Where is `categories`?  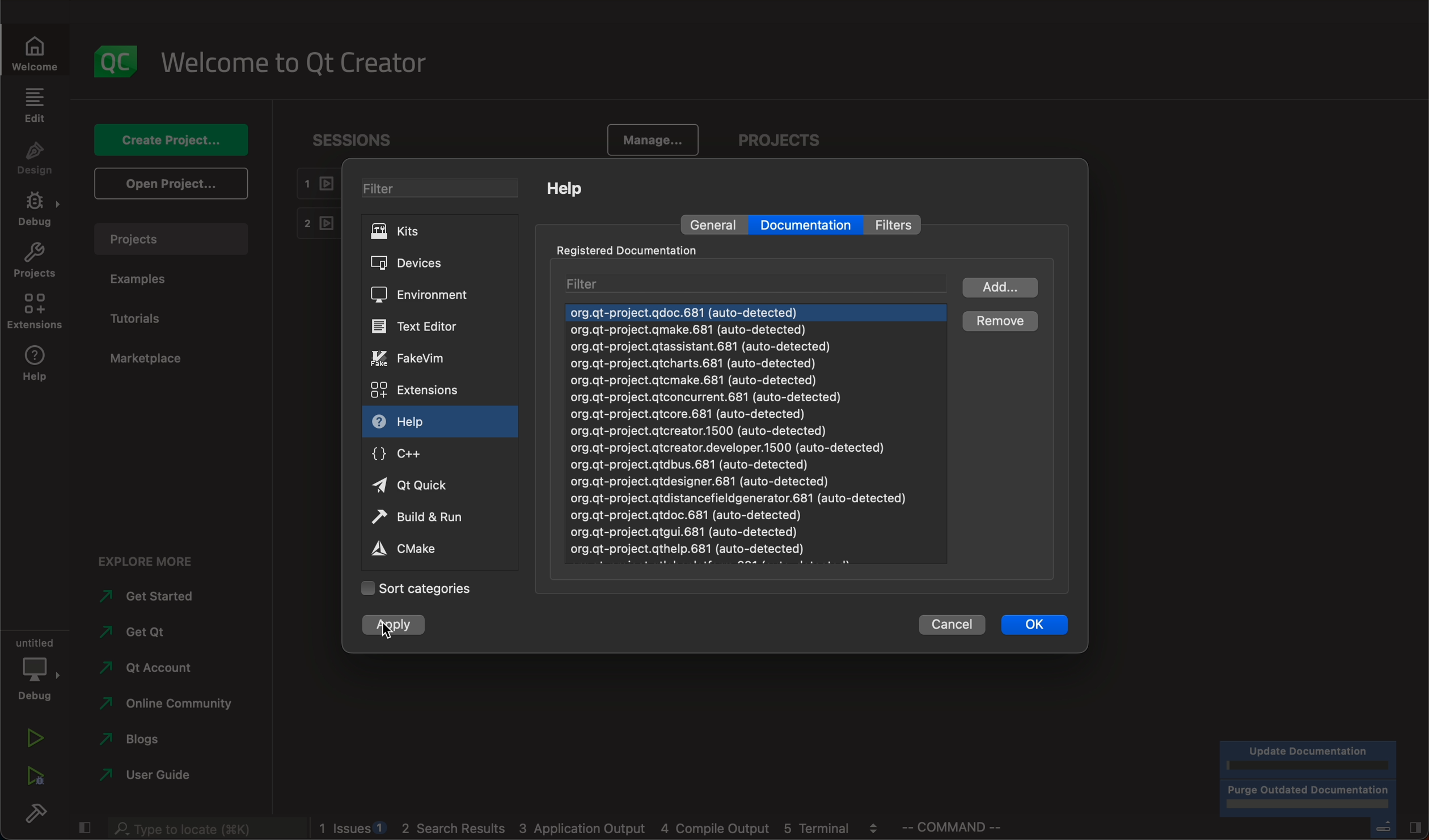
categories is located at coordinates (420, 590).